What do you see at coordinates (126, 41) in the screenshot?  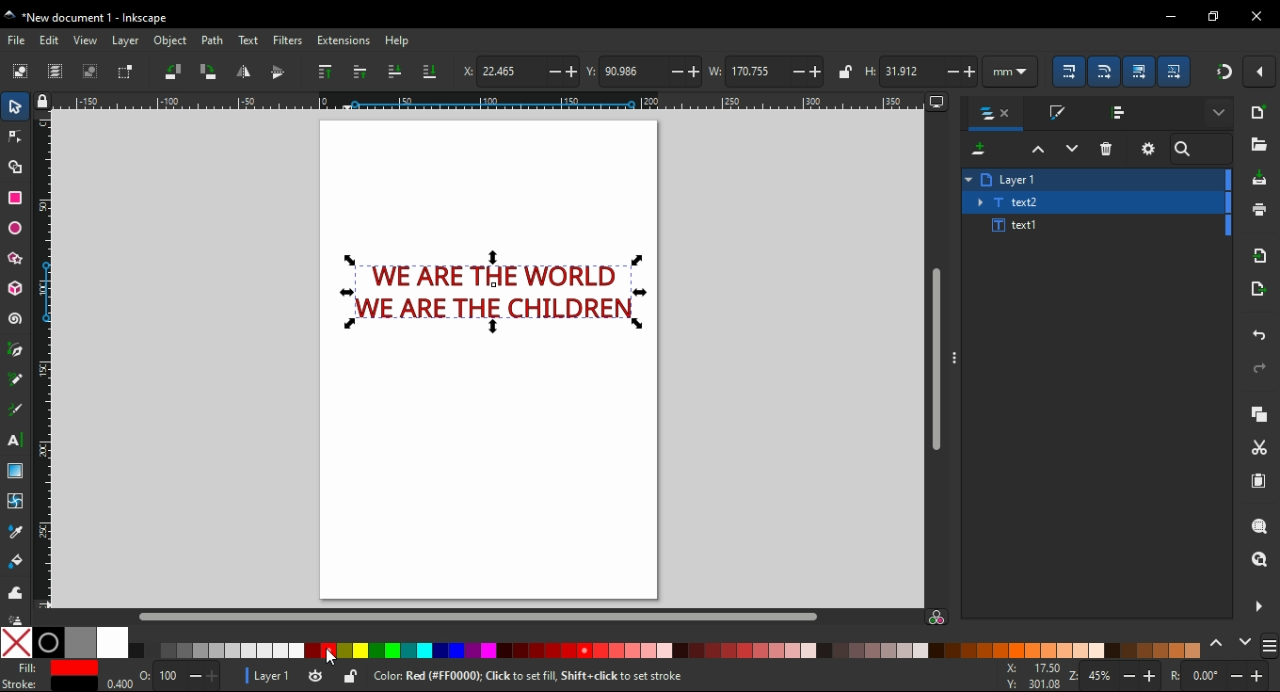 I see `layer` at bounding box center [126, 41].